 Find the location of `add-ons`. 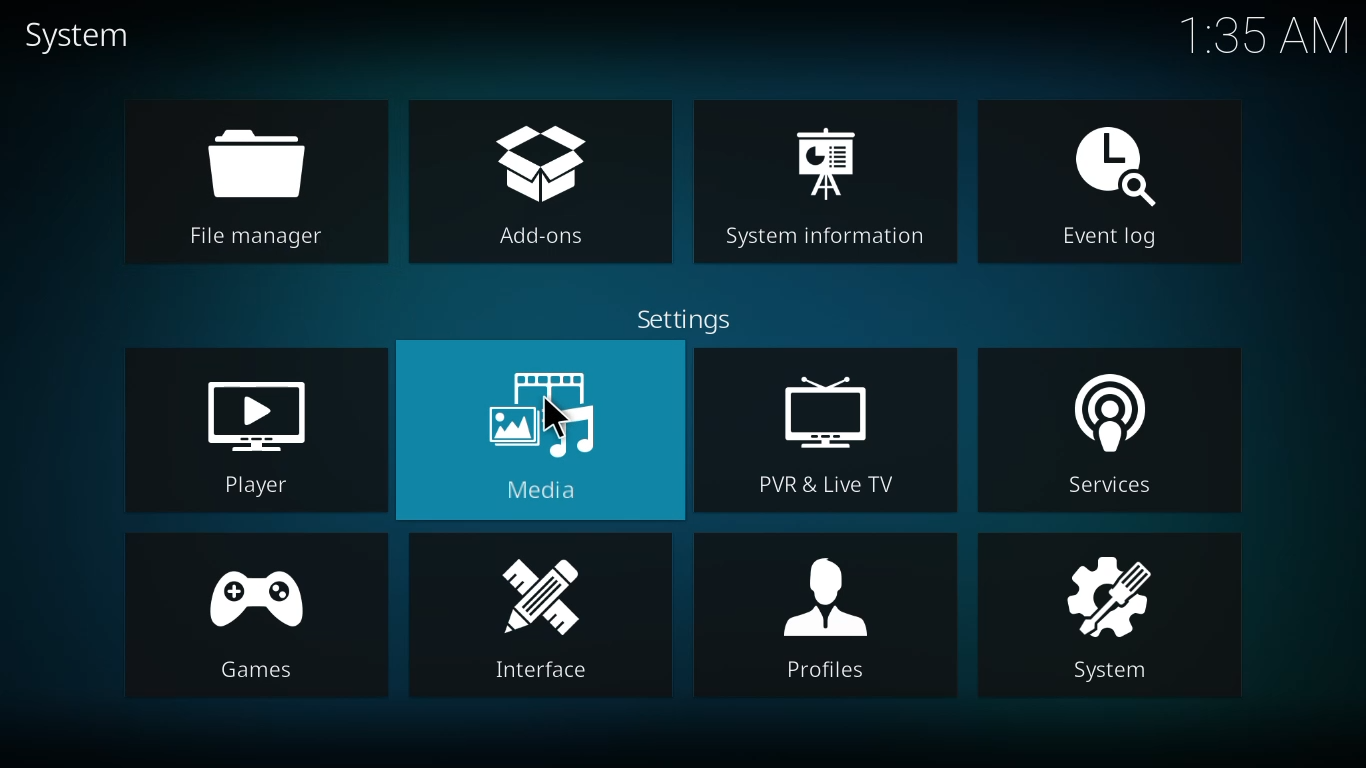

add-ons is located at coordinates (531, 183).